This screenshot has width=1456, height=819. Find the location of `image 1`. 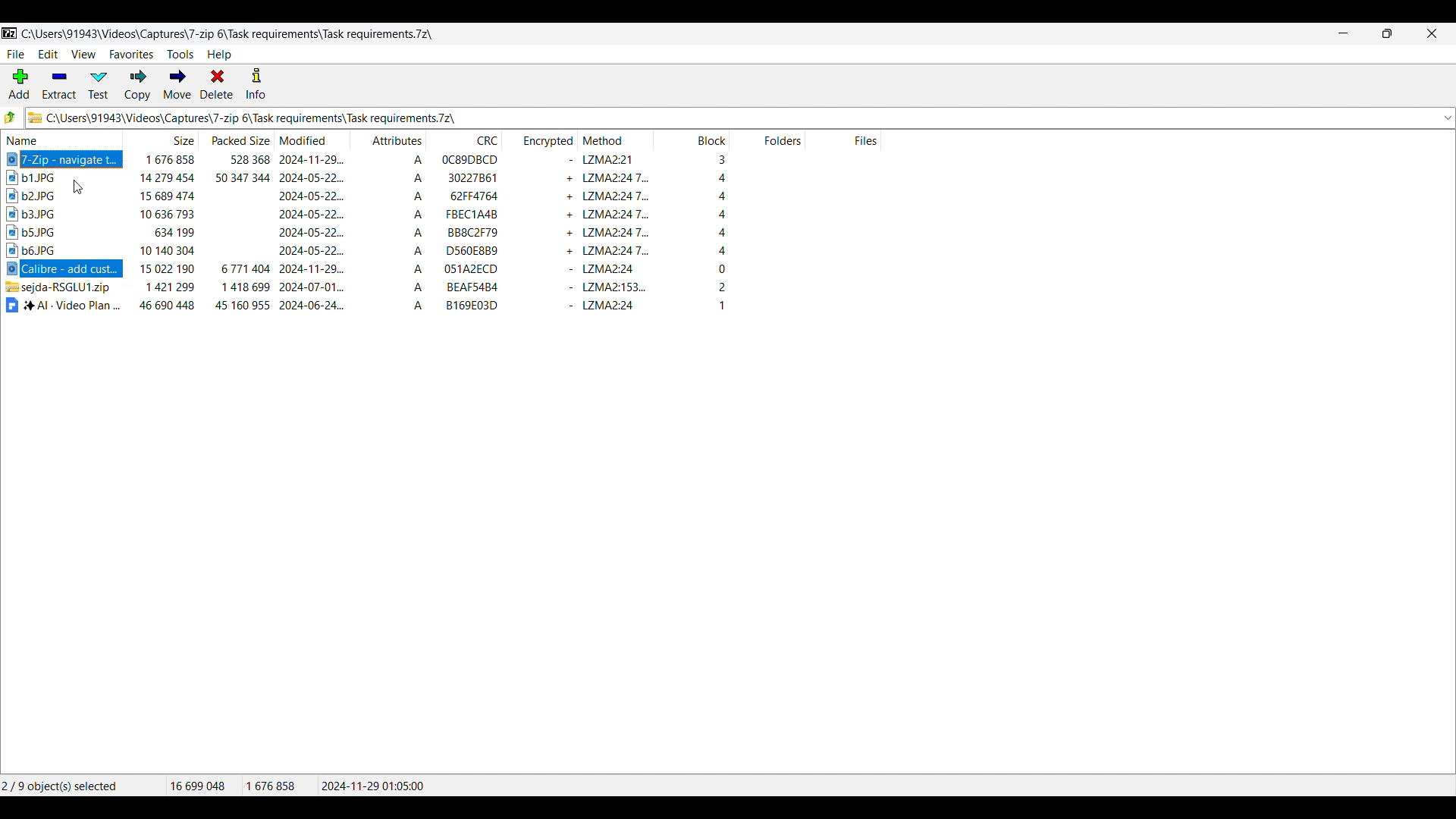

image 1 is located at coordinates (54, 177).